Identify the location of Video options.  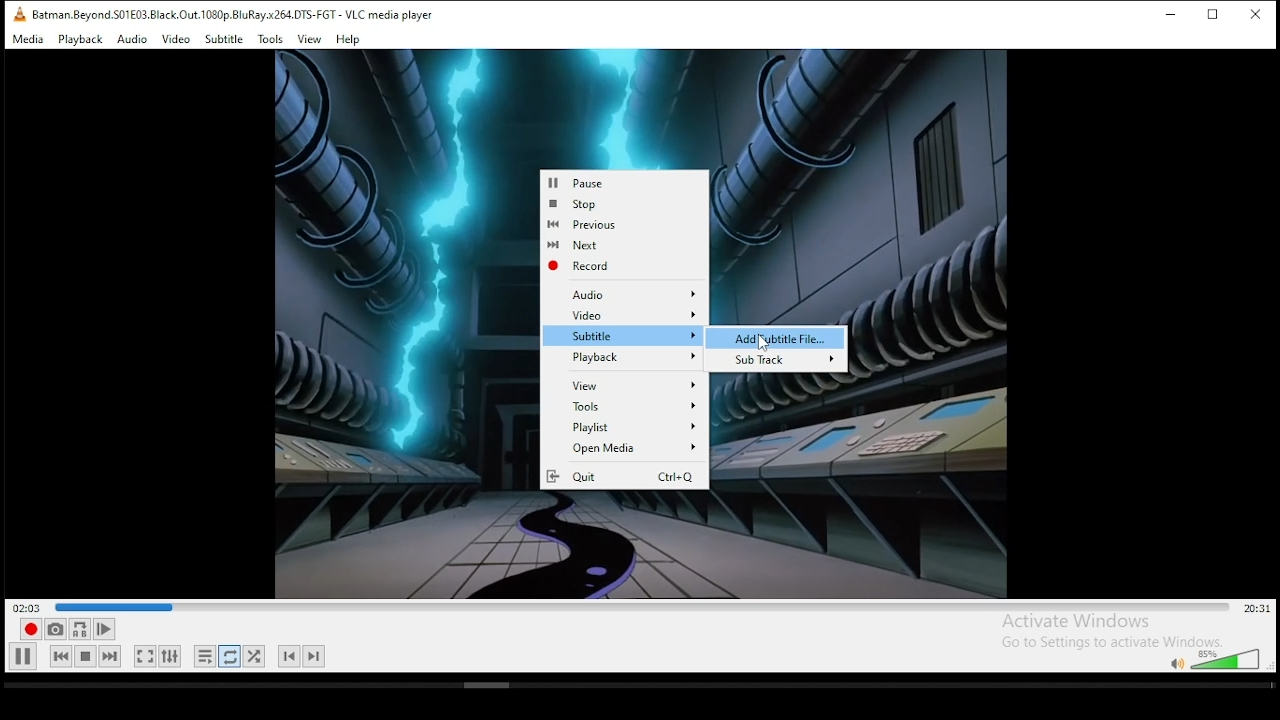
(625, 315).